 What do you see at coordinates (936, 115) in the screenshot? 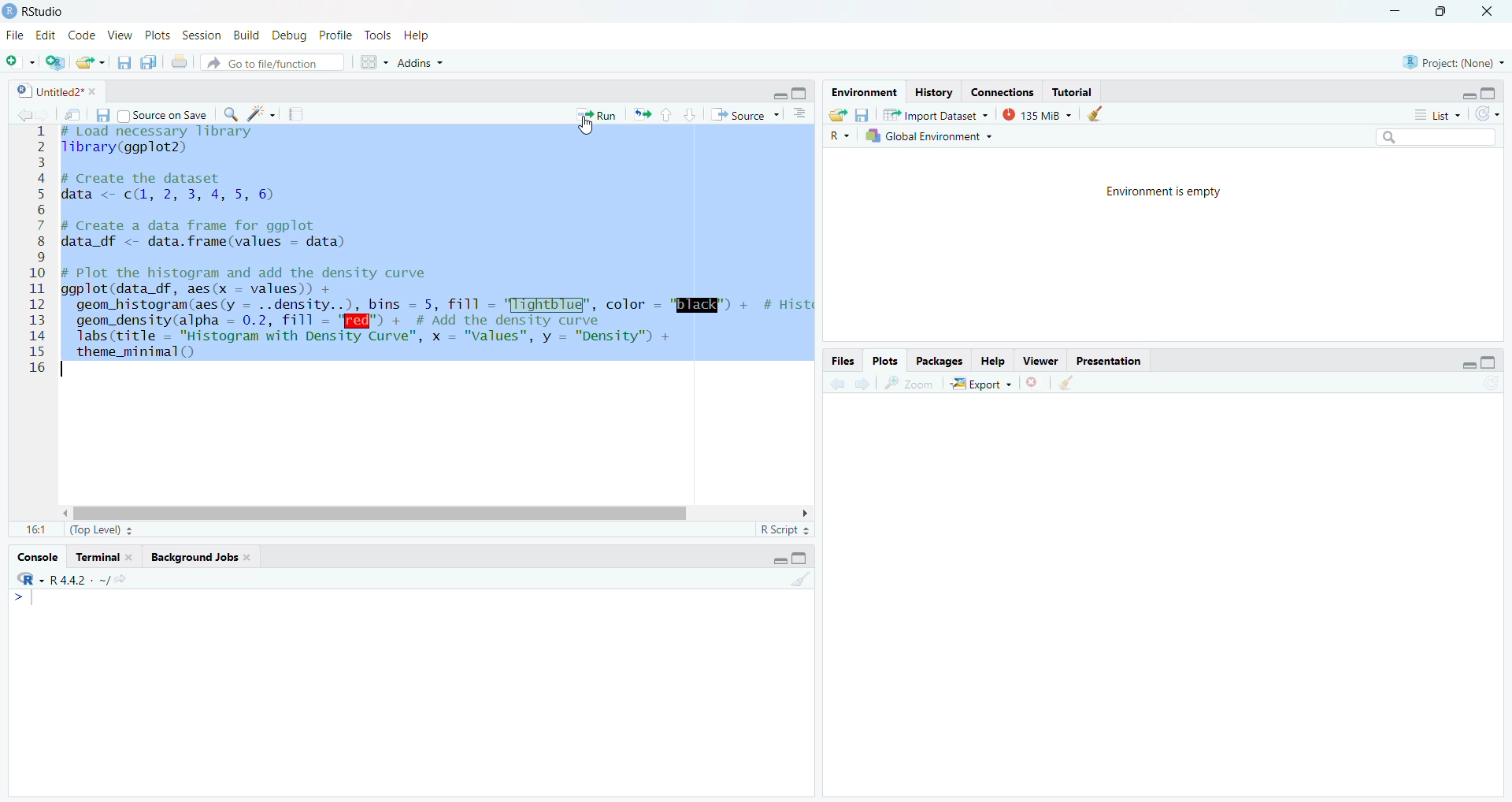
I see `Import Dataset` at bounding box center [936, 115].